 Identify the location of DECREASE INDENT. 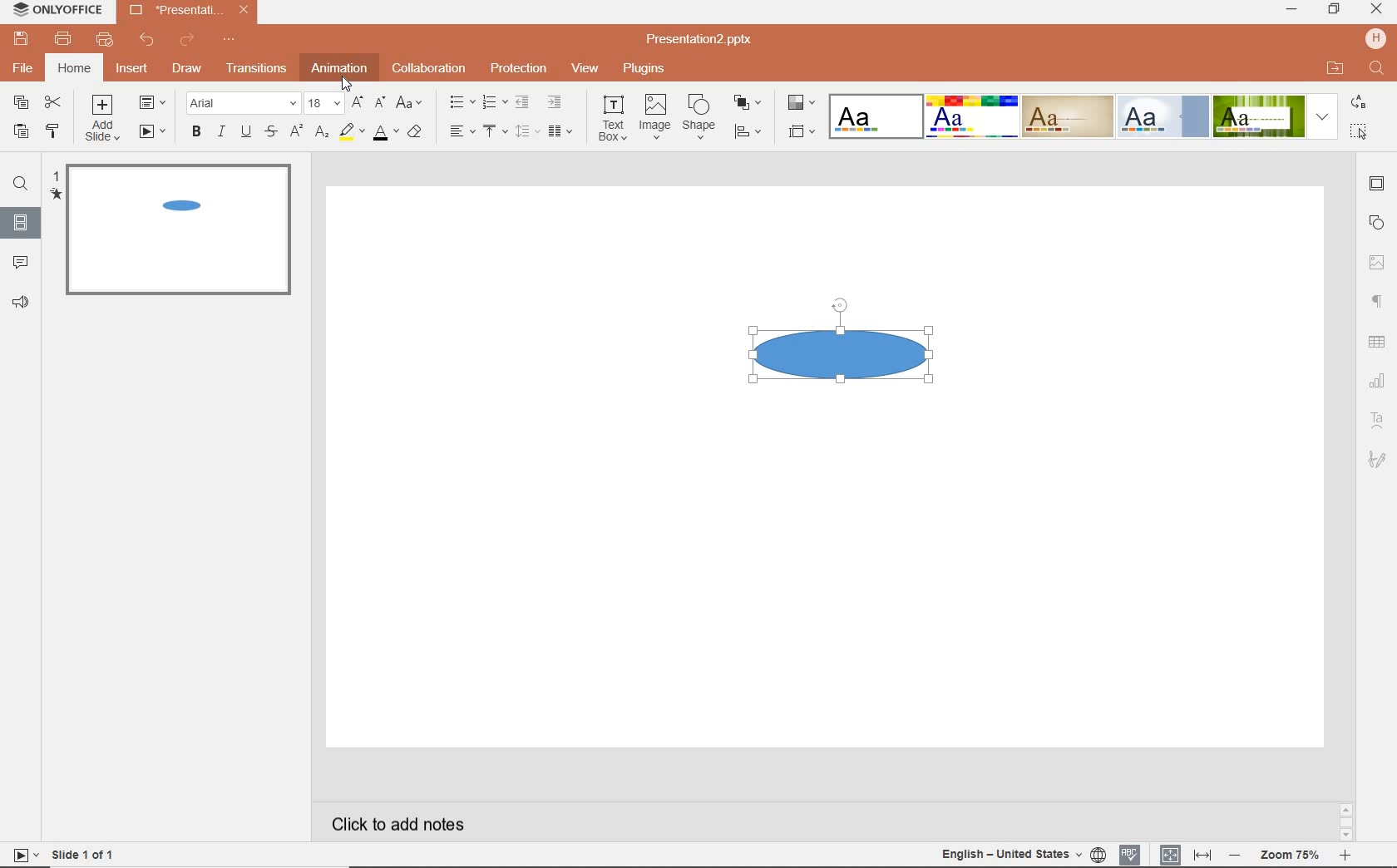
(523, 103).